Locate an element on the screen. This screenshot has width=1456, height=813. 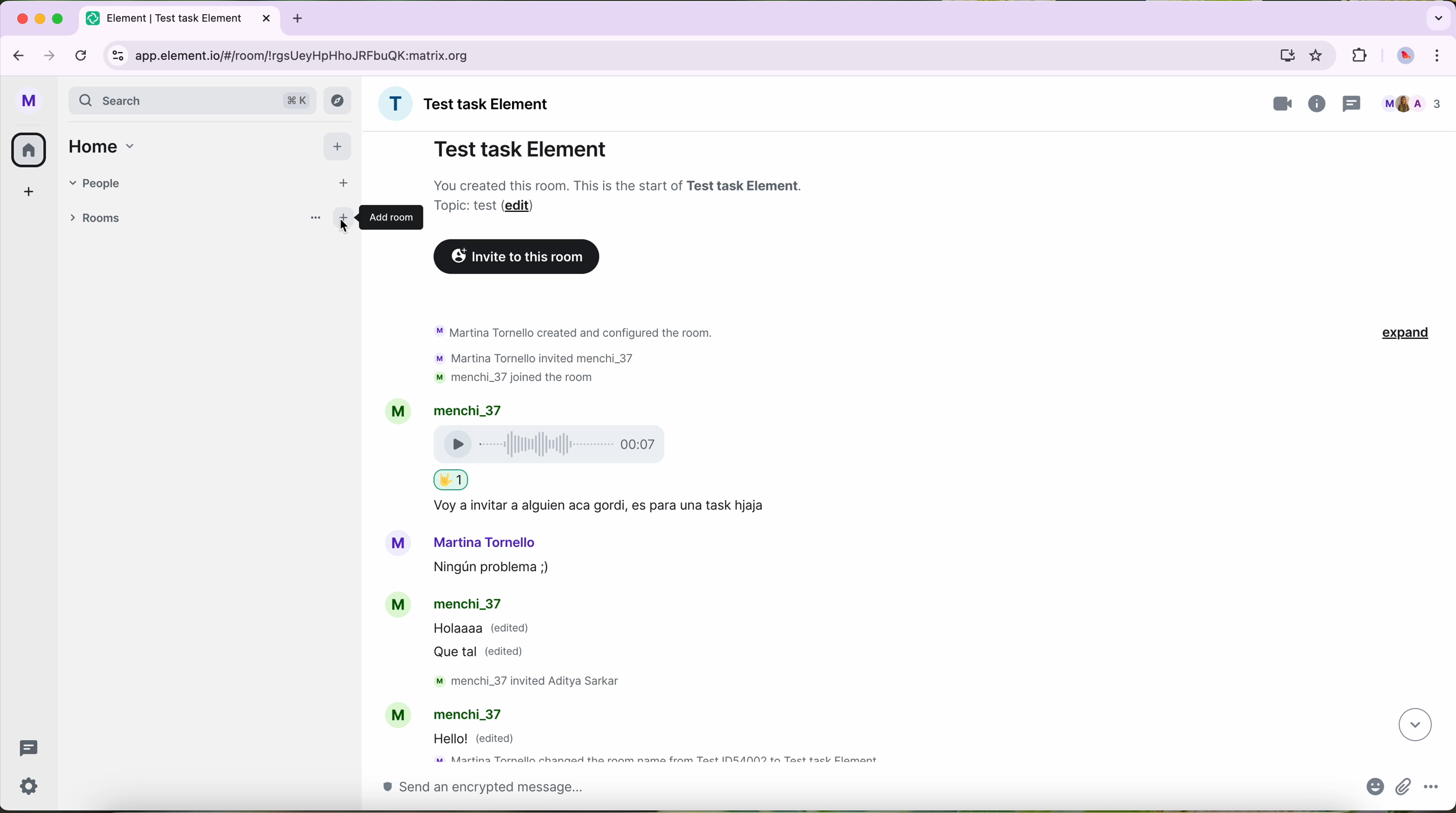
profile picture is located at coordinates (1405, 56).